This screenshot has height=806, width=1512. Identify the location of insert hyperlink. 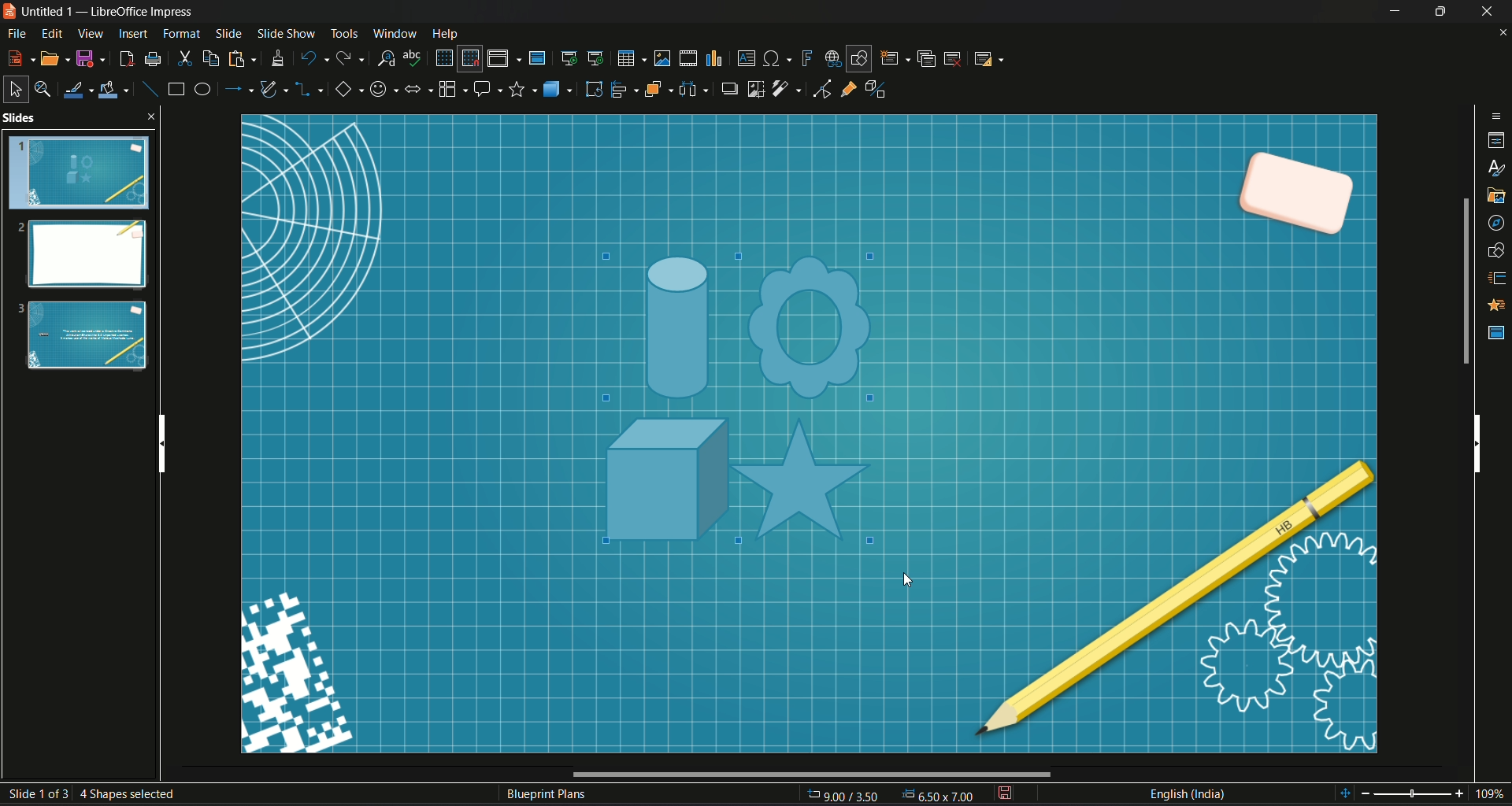
(832, 58).